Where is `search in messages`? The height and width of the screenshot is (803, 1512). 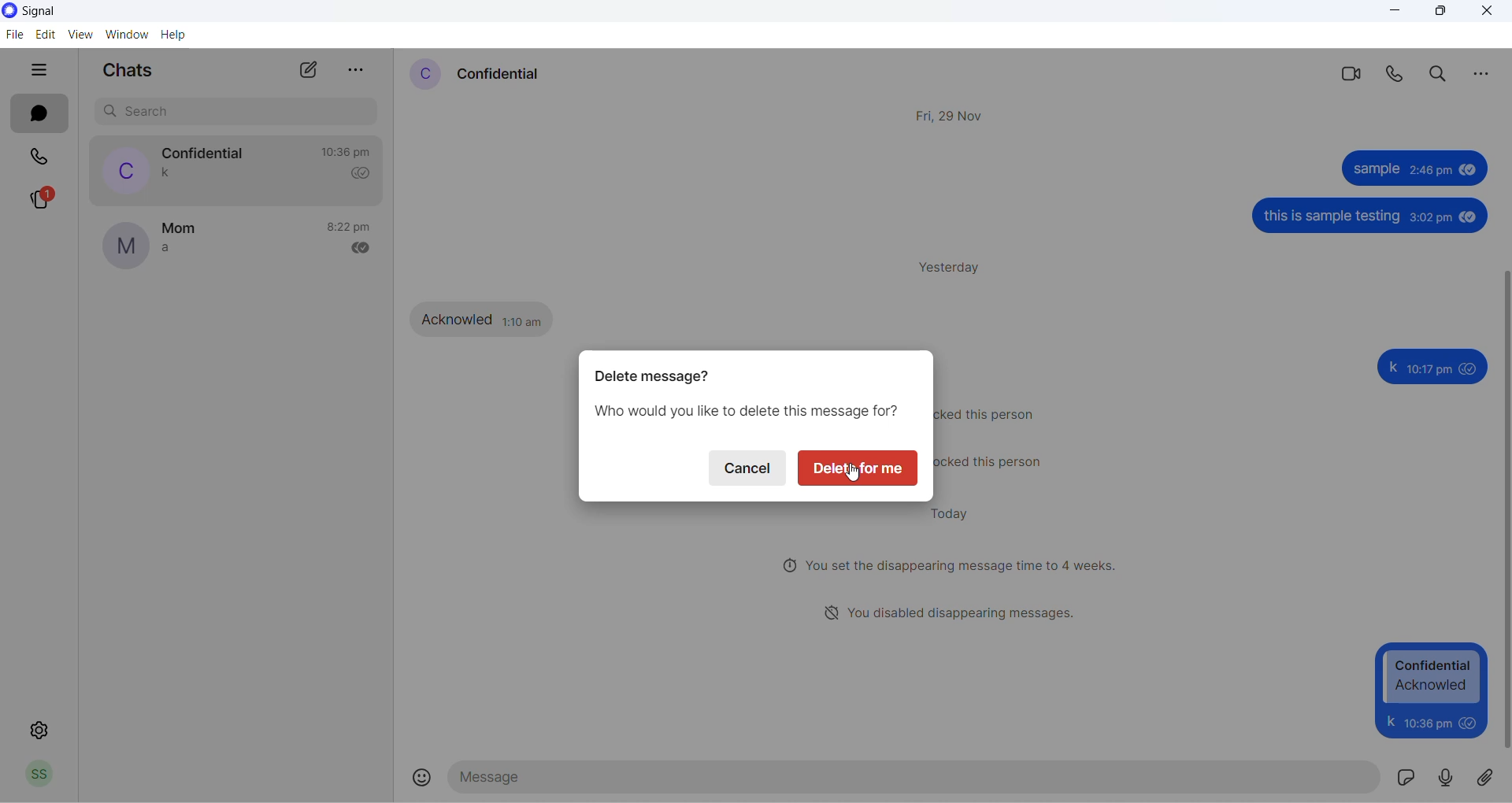
search in messages is located at coordinates (1440, 73).